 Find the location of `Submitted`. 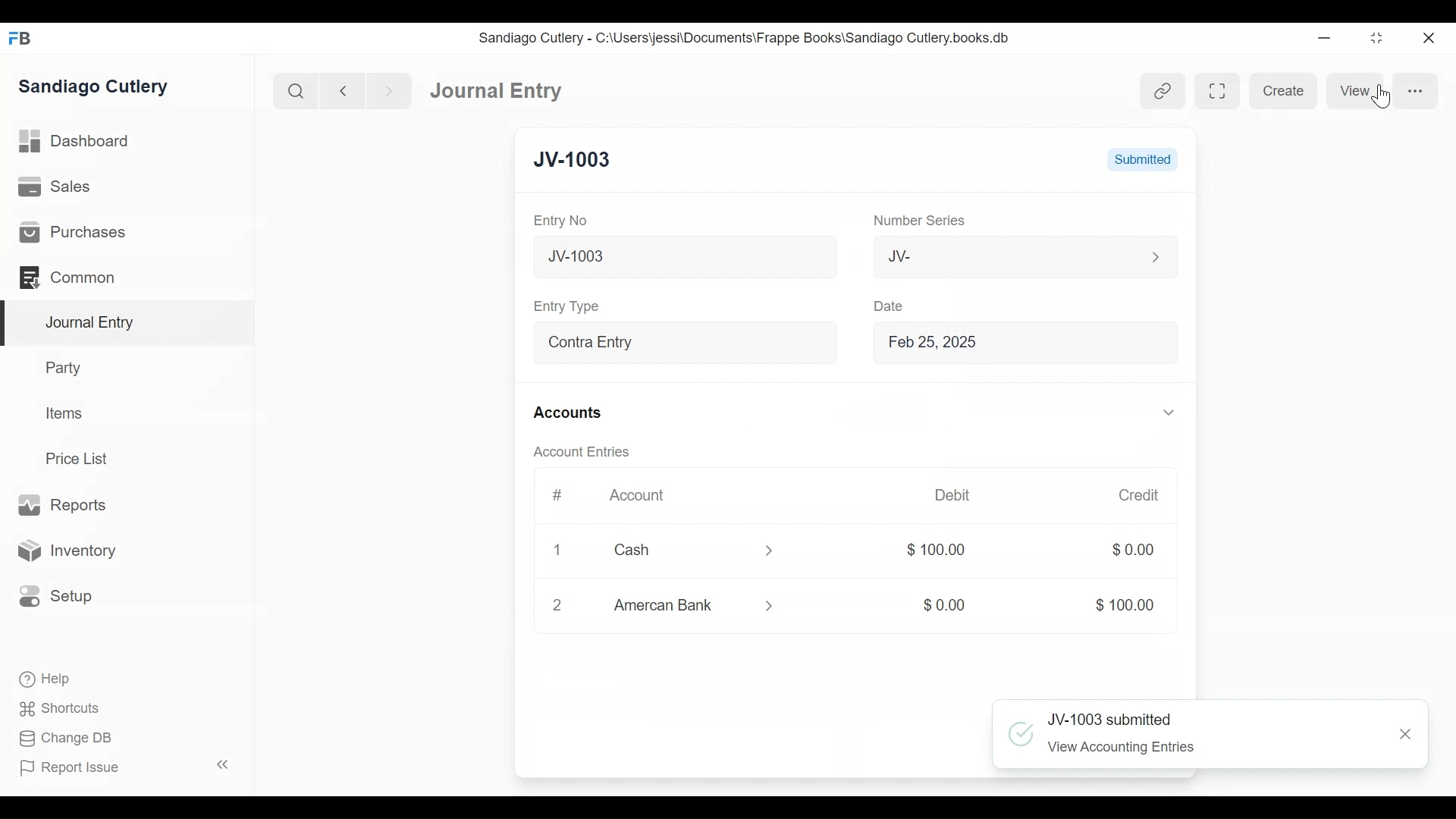

Submitted is located at coordinates (1144, 161).